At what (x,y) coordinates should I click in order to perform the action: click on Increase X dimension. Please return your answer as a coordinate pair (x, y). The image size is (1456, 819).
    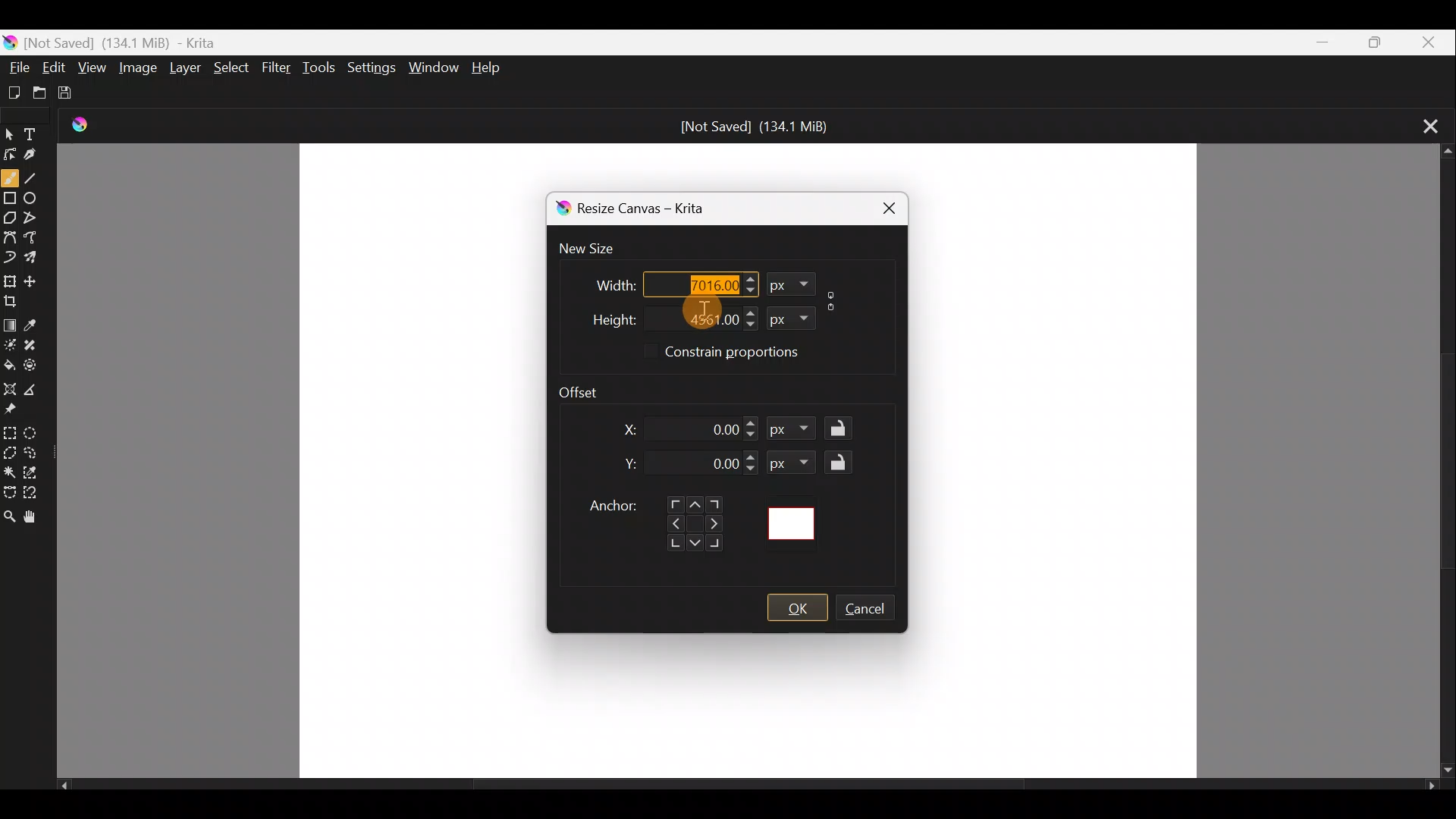
    Looking at the image, I should click on (752, 420).